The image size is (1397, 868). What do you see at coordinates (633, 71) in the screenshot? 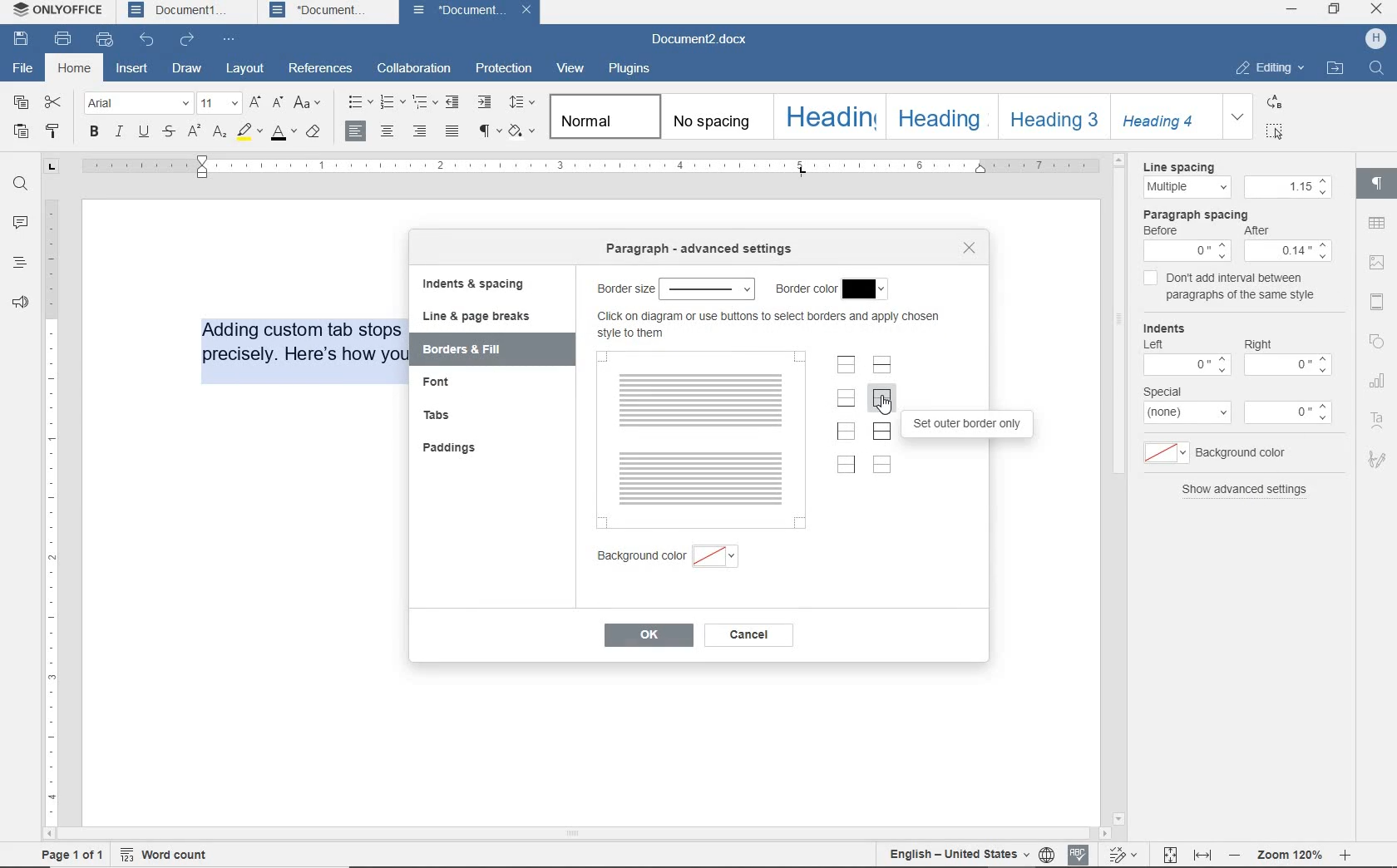
I see `plugins` at bounding box center [633, 71].